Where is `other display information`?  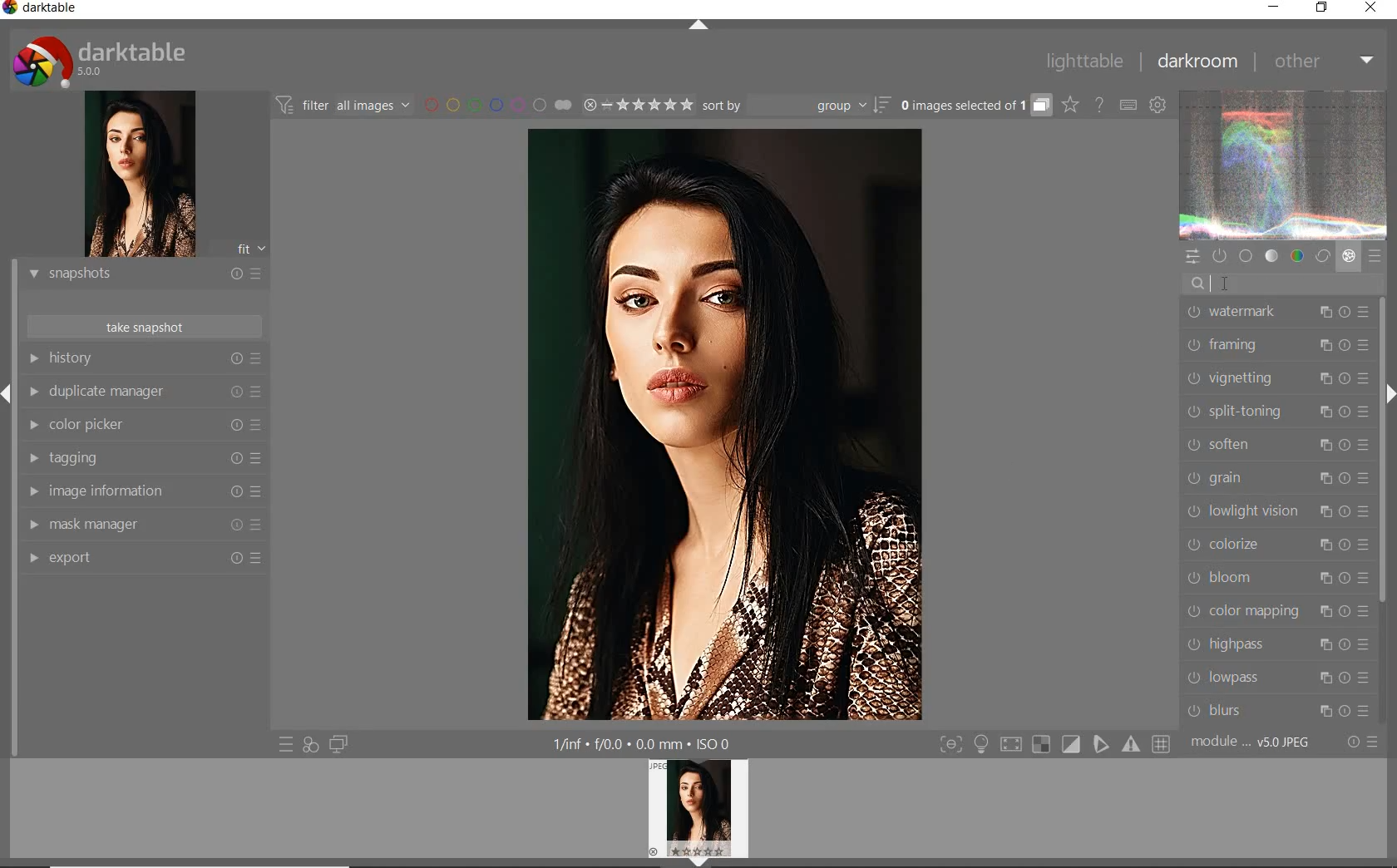
other display information is located at coordinates (646, 745).